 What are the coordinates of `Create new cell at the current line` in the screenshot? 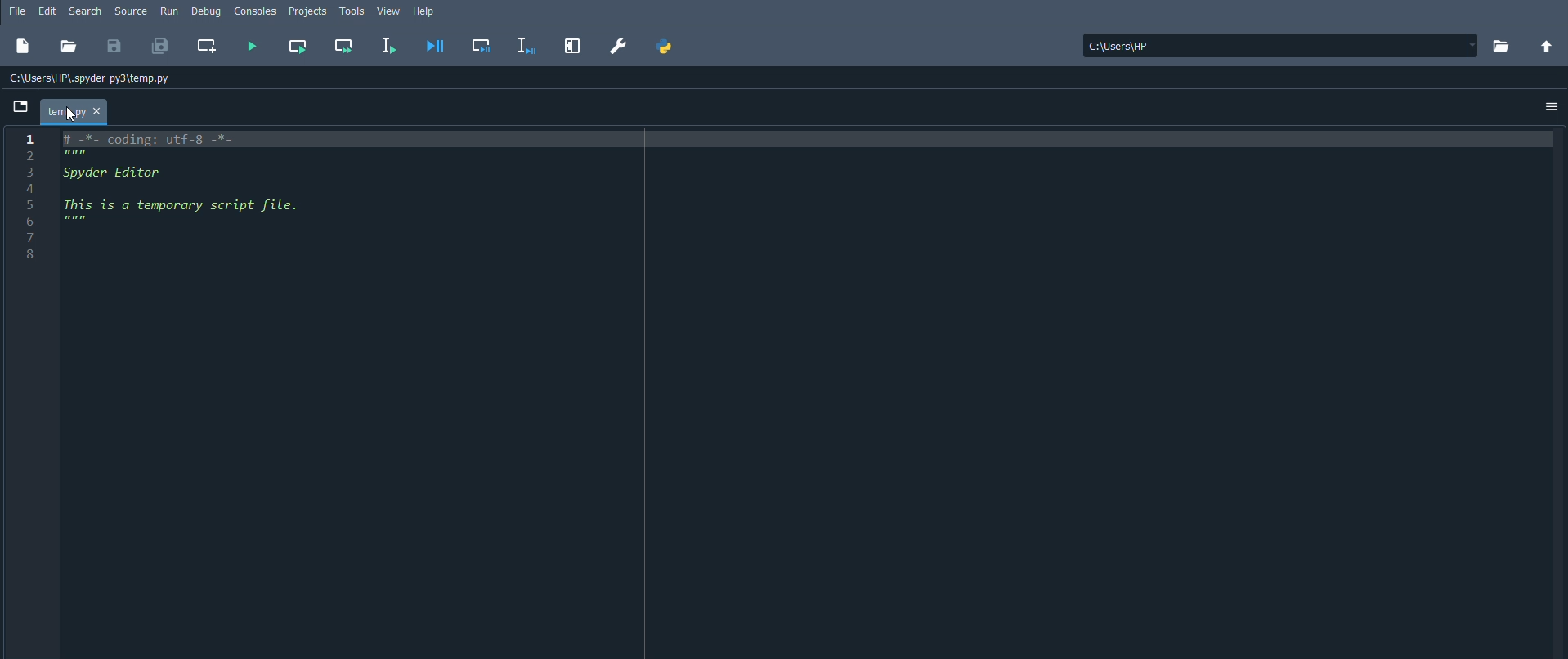 It's located at (210, 47).